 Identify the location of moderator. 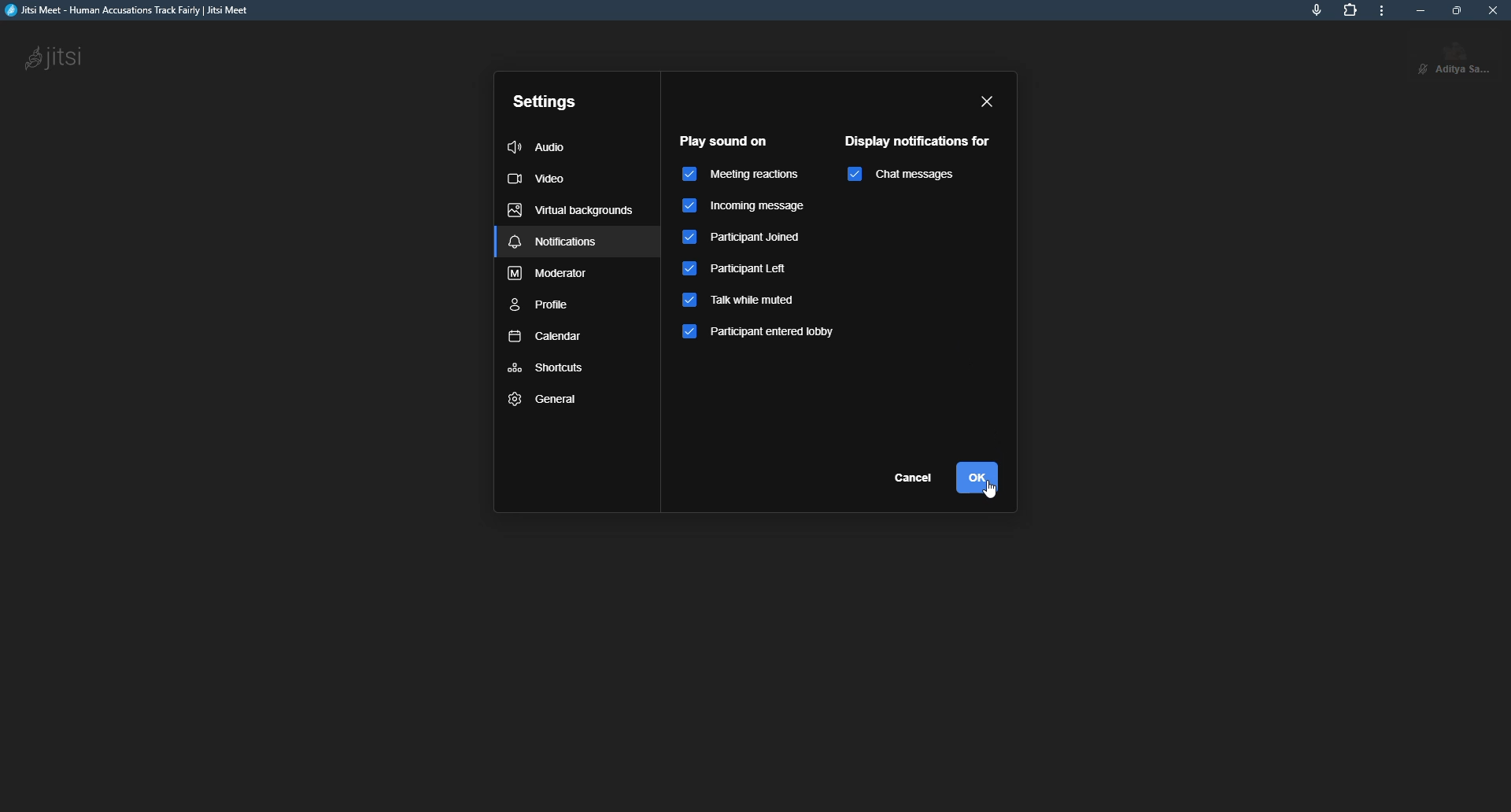
(549, 275).